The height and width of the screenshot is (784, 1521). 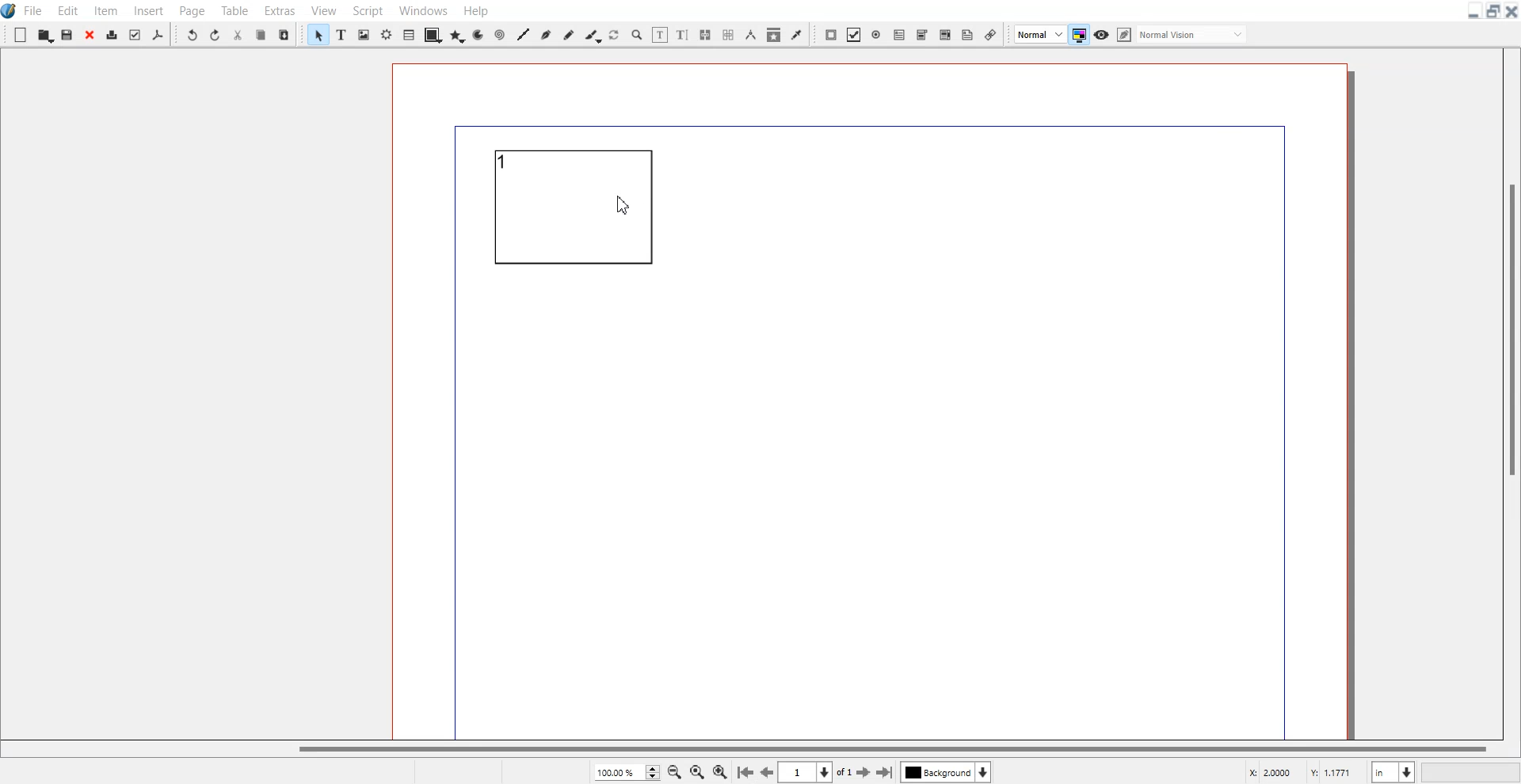 I want to click on Go to the preview mode, so click(x=768, y=772).